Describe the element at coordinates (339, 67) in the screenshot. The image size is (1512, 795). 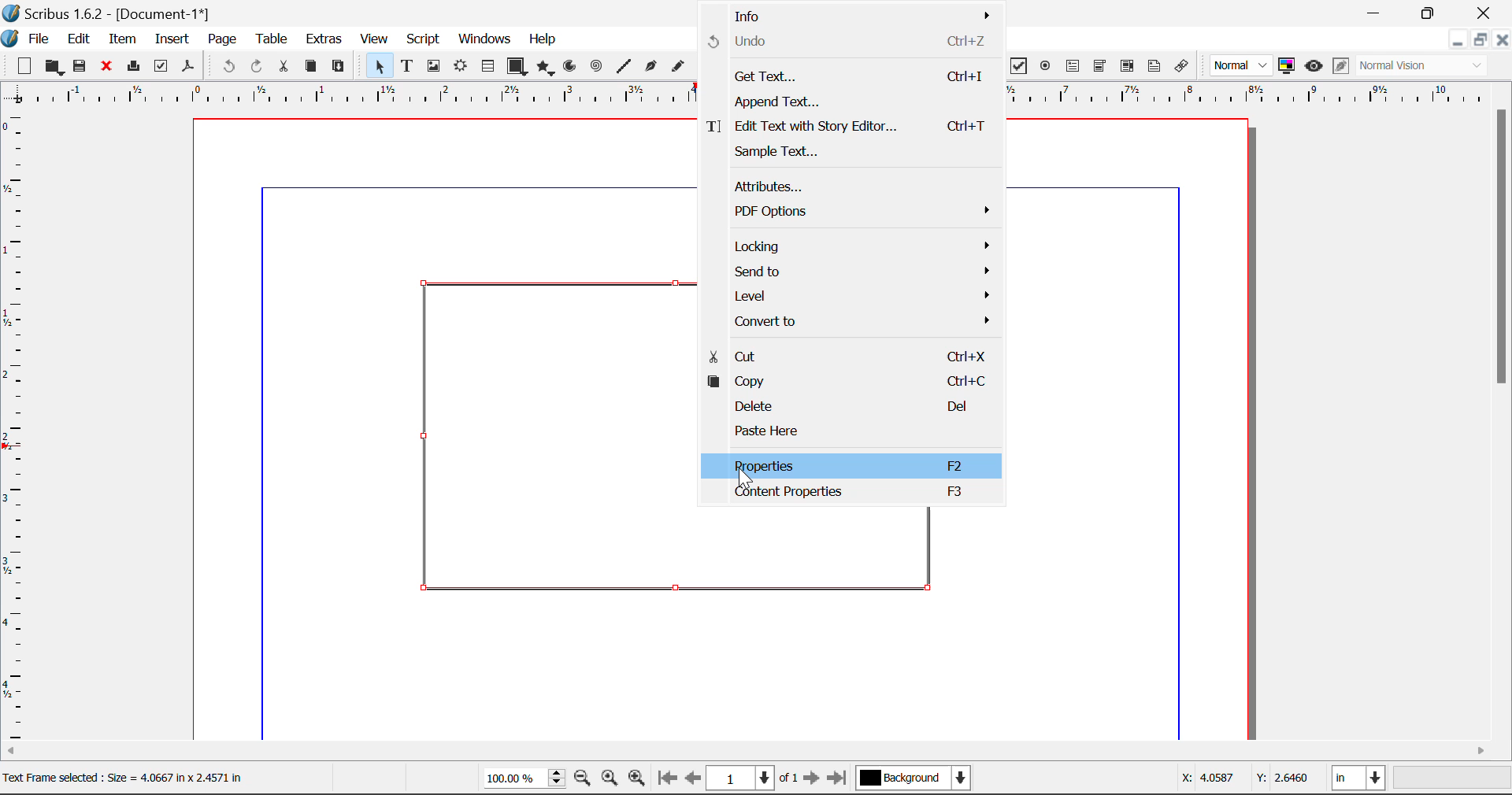
I see `Paste` at that location.